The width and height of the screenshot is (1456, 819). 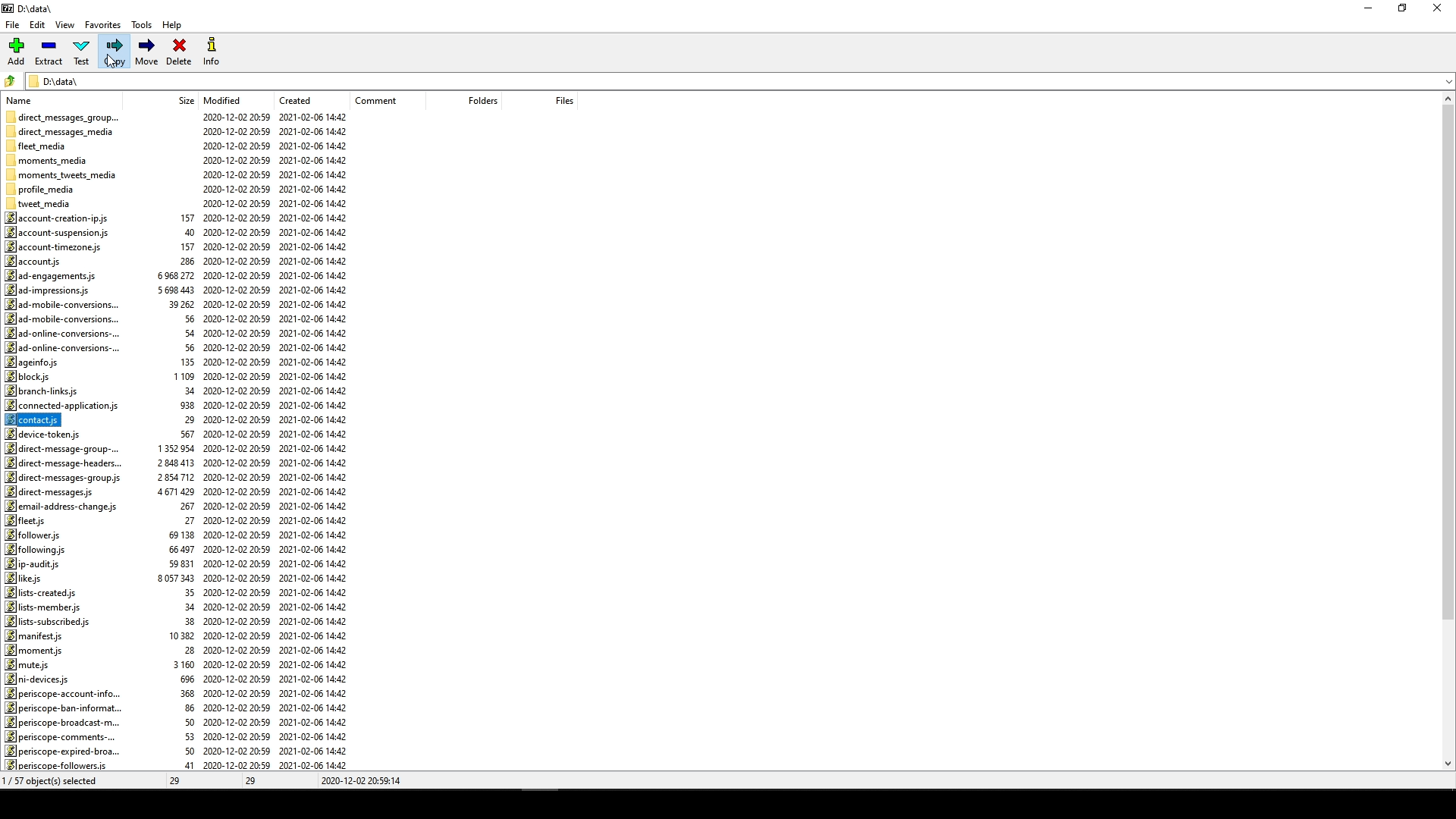 I want to click on name, so click(x=24, y=99).